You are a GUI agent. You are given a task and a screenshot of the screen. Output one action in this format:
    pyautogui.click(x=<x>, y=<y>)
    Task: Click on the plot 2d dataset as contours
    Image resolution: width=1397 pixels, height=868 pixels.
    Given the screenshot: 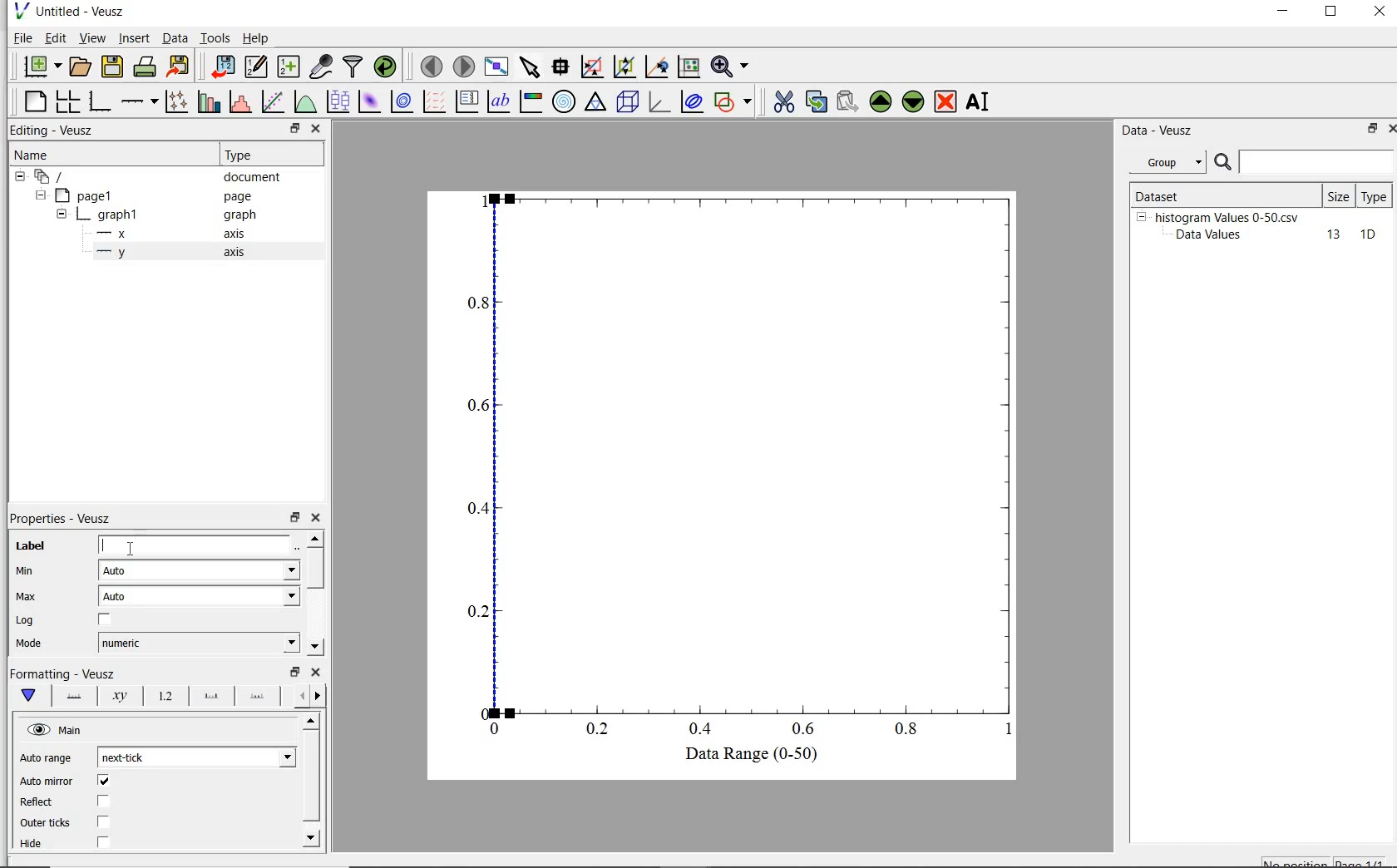 What is the action you would take?
    pyautogui.click(x=402, y=101)
    